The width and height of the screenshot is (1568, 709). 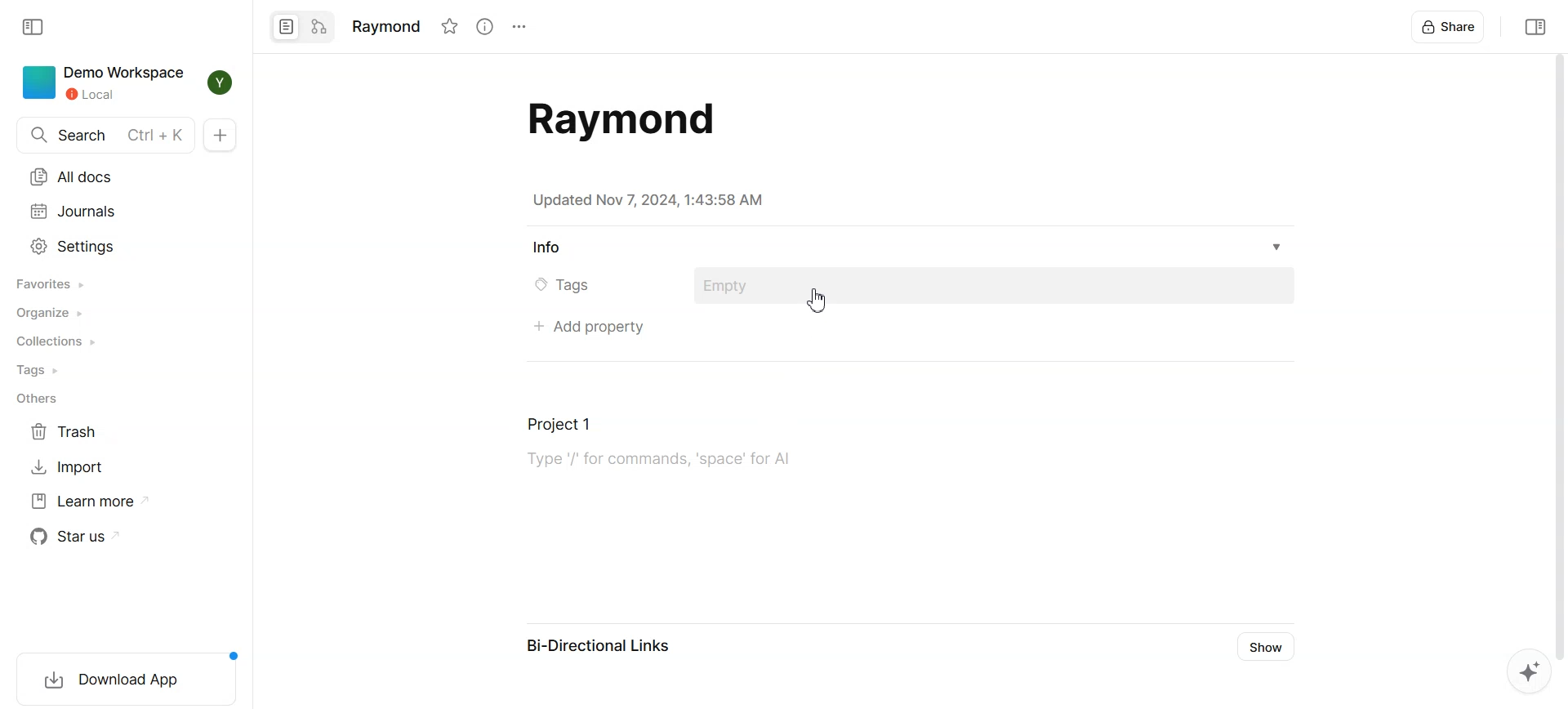 What do you see at coordinates (91, 501) in the screenshot?
I see `Learn more` at bounding box center [91, 501].